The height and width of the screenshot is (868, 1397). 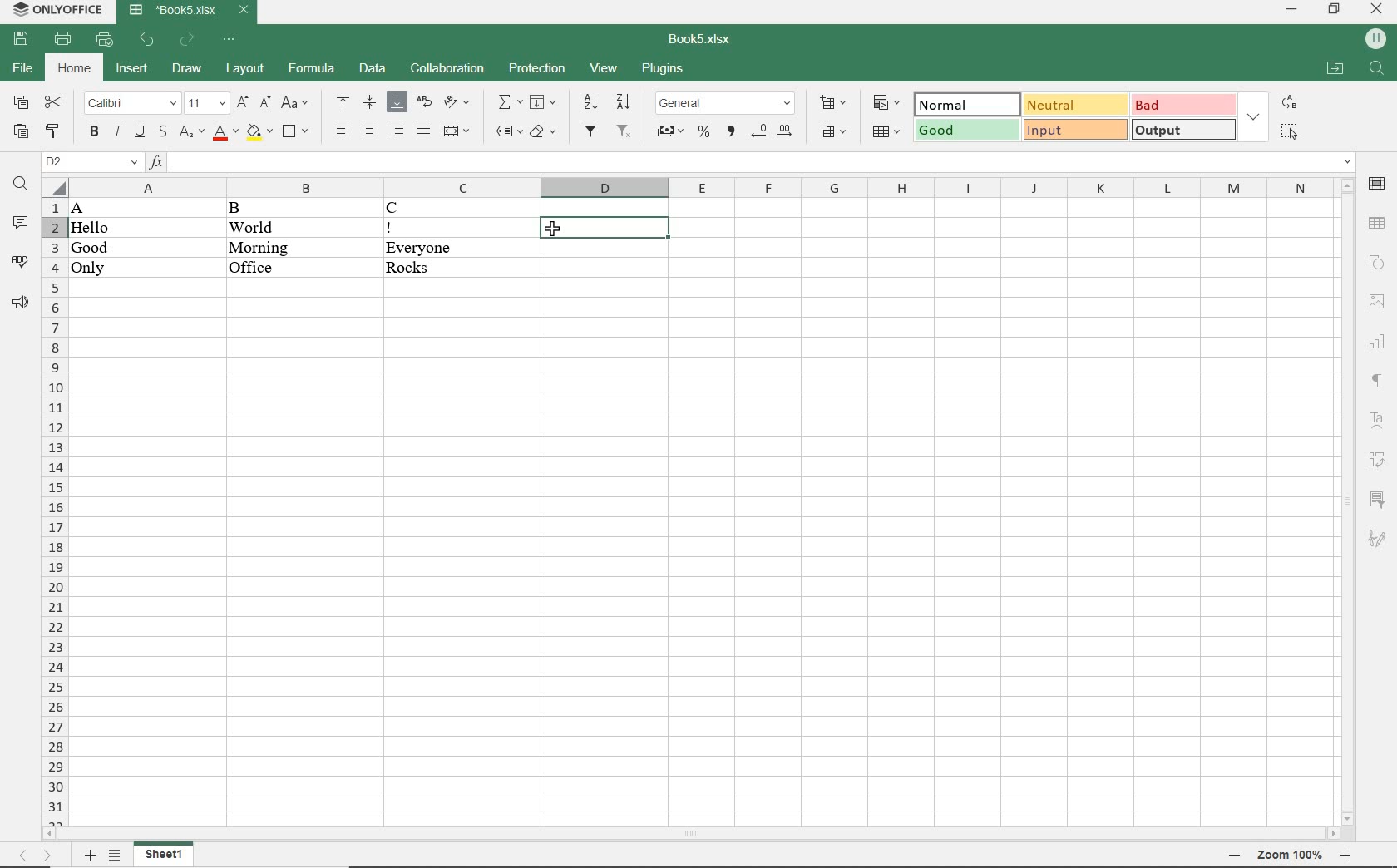 What do you see at coordinates (833, 104) in the screenshot?
I see `insert cells` at bounding box center [833, 104].